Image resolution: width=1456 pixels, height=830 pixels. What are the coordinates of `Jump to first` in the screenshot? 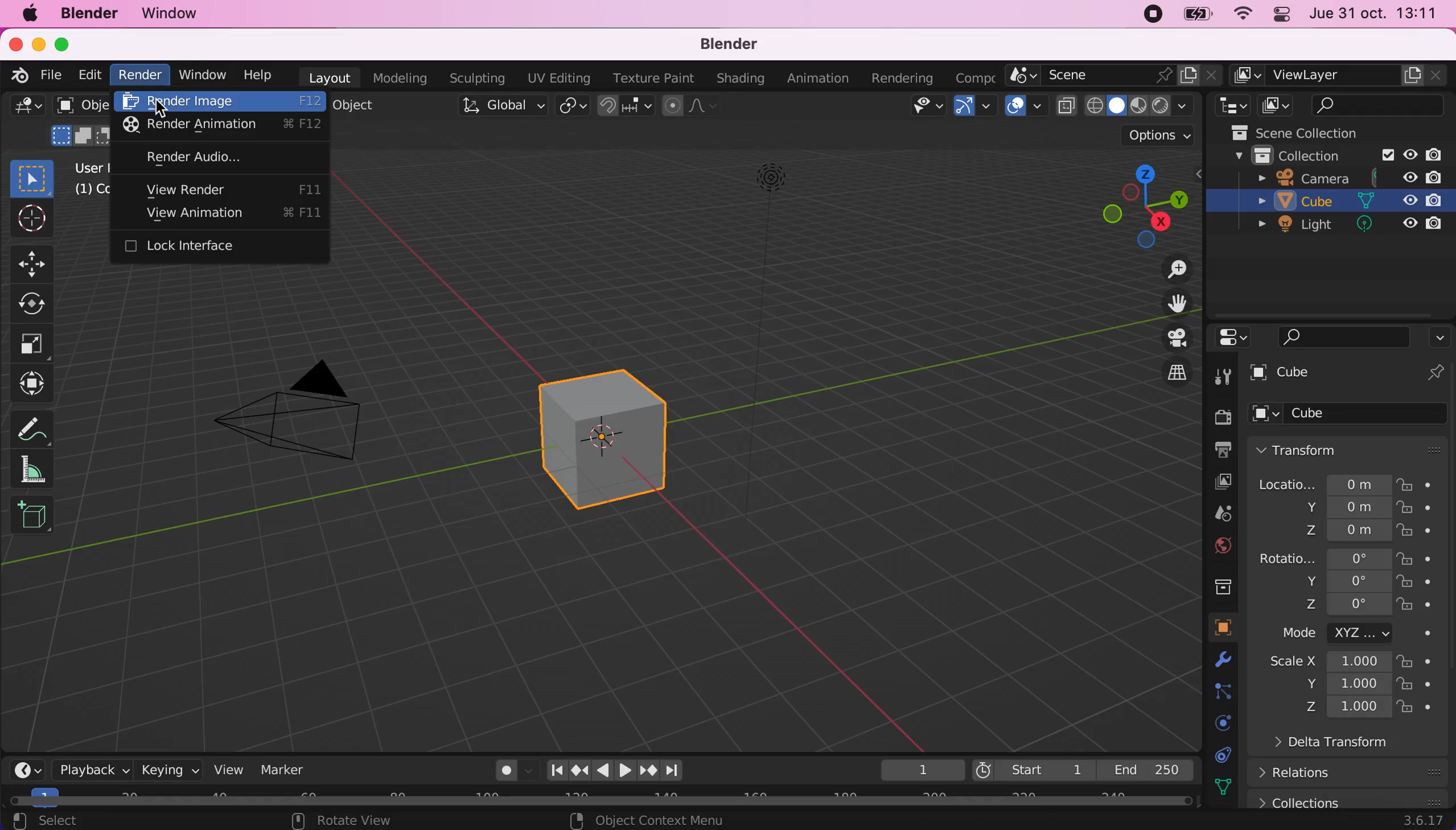 It's located at (552, 770).